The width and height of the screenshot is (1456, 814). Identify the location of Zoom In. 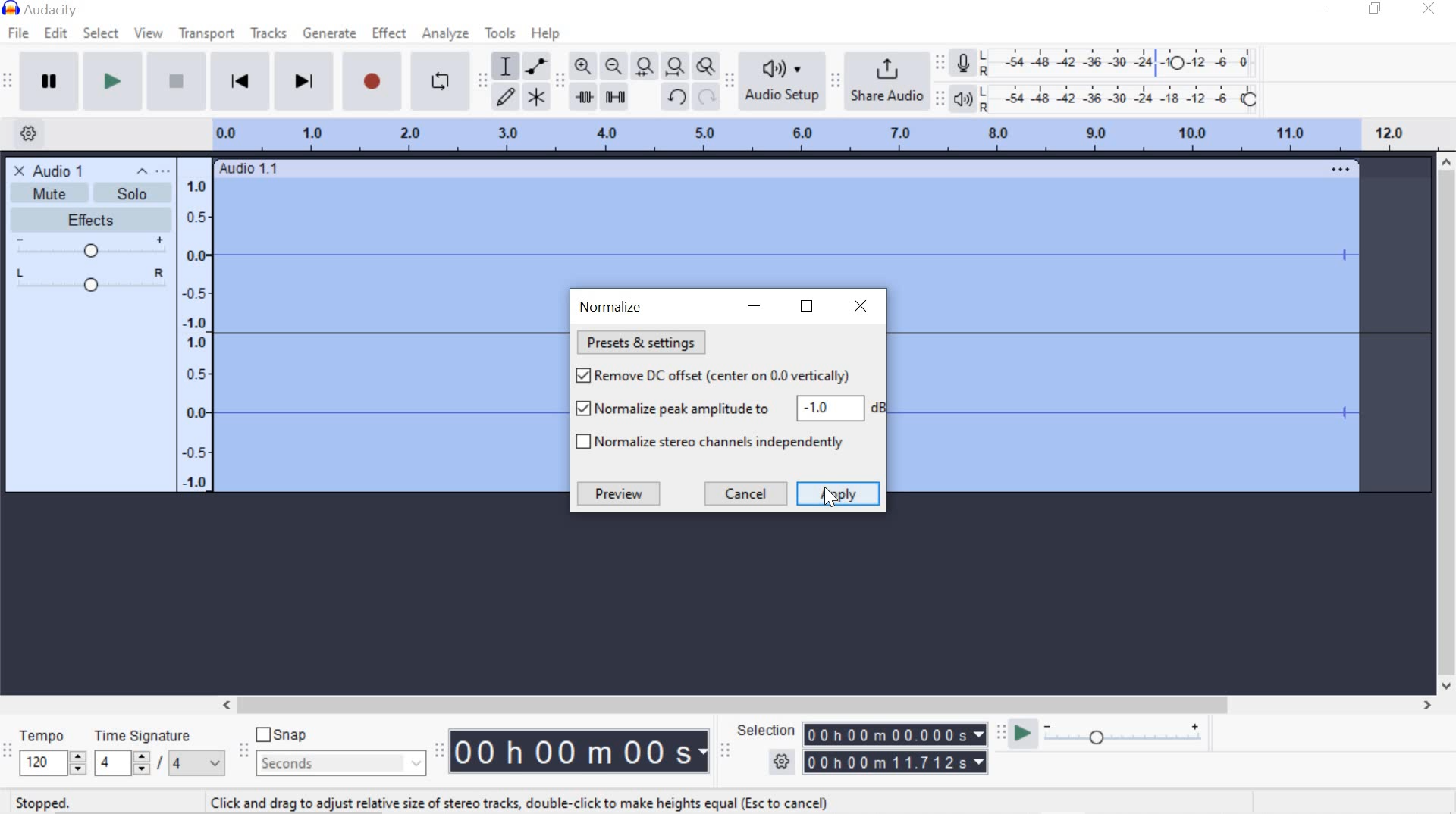
(582, 65).